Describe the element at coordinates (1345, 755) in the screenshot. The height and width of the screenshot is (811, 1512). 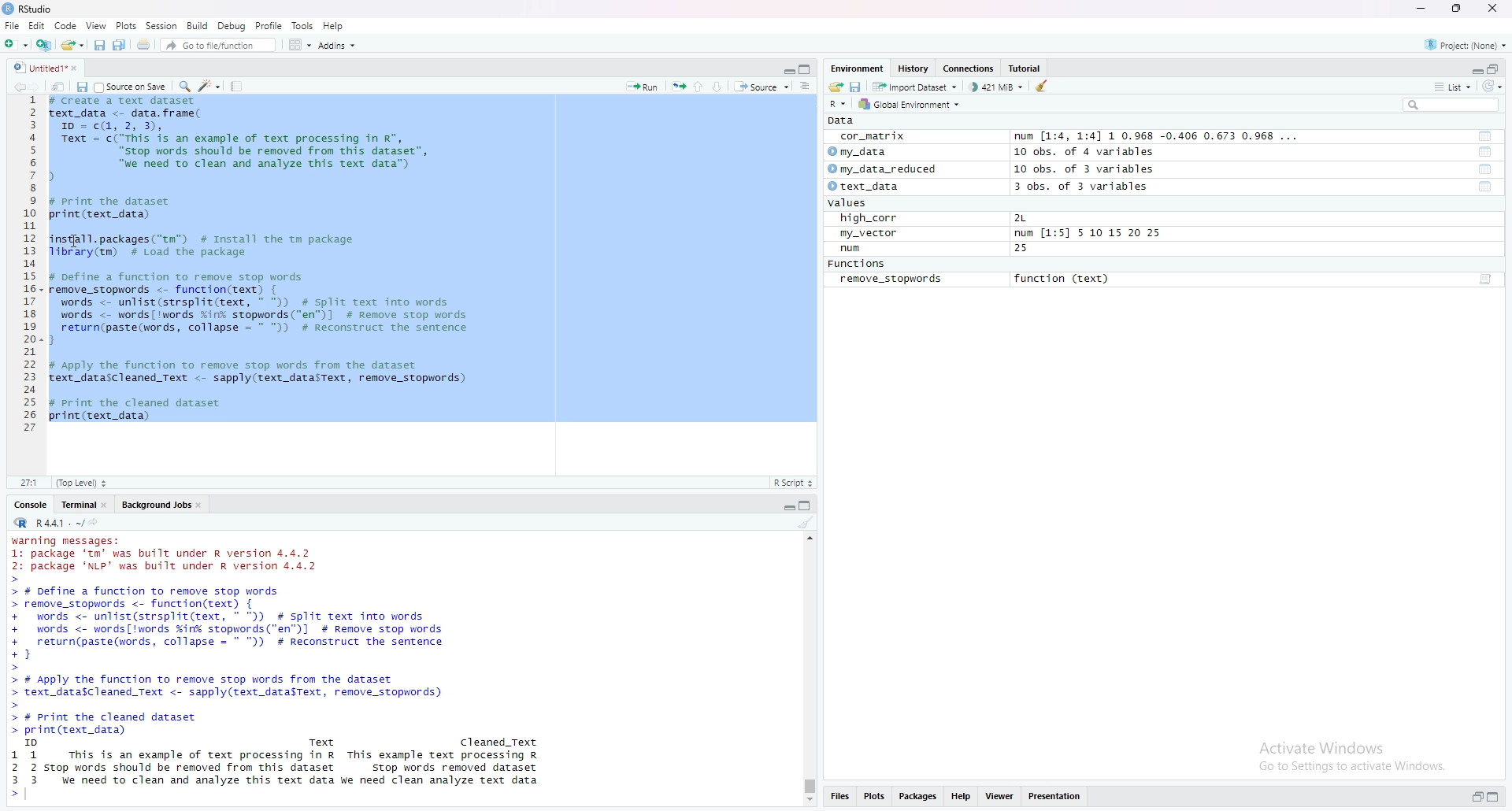
I see `activate windows go to settings to activate windows` at that location.